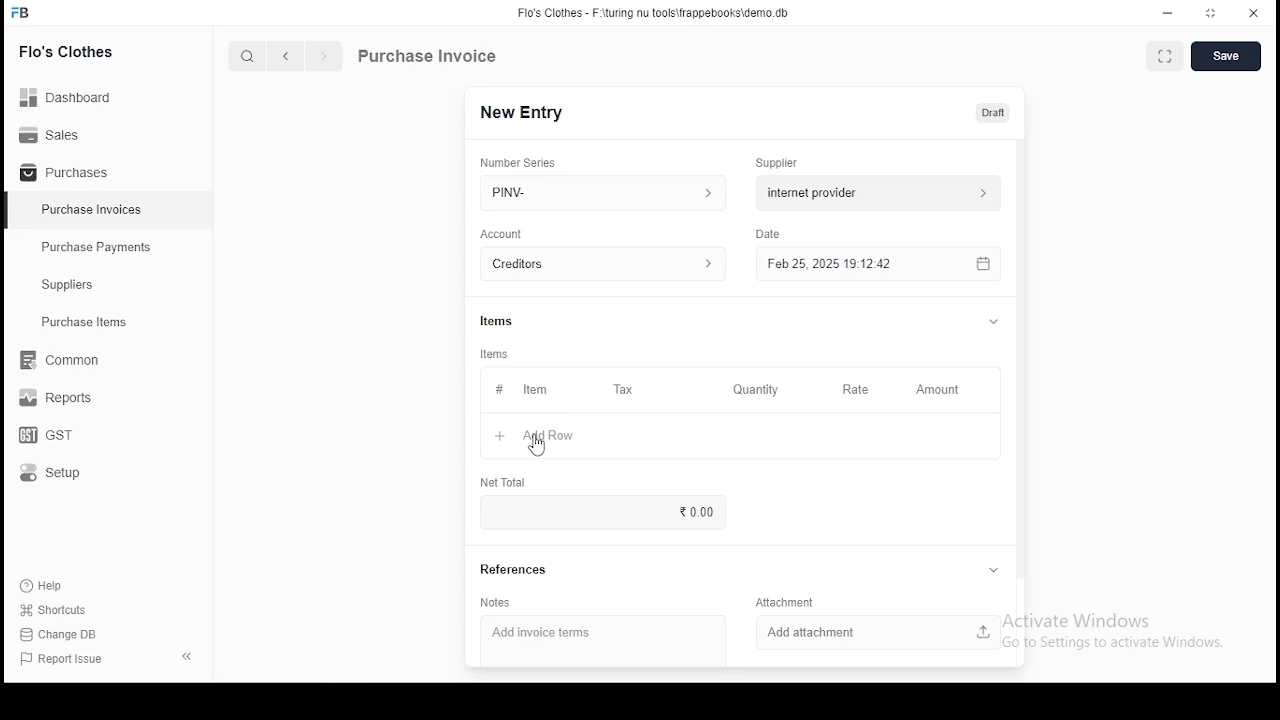 This screenshot has width=1280, height=720. Describe the element at coordinates (936, 390) in the screenshot. I see `amount` at that location.